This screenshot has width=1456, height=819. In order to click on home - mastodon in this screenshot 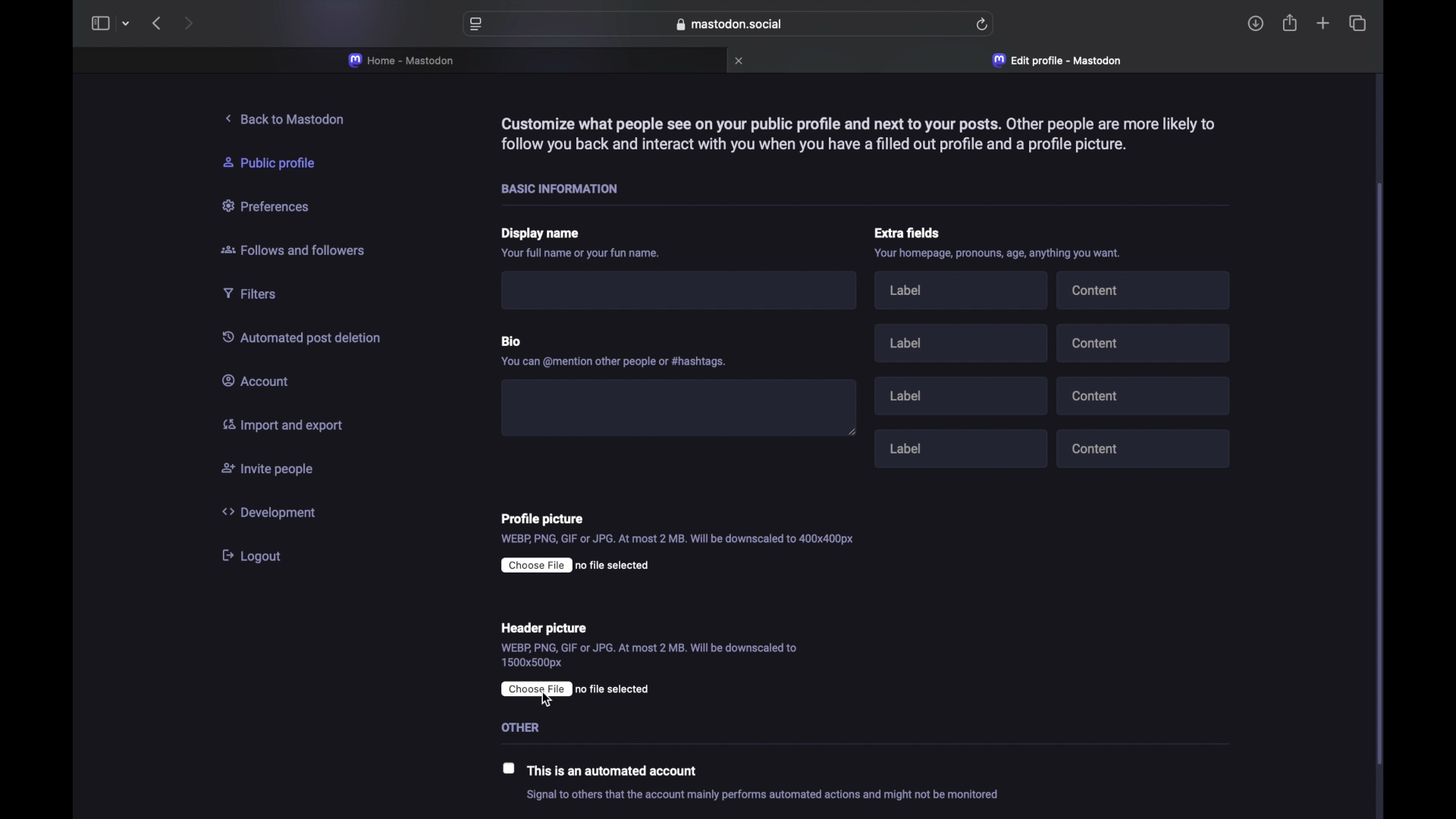, I will do `click(402, 61)`.